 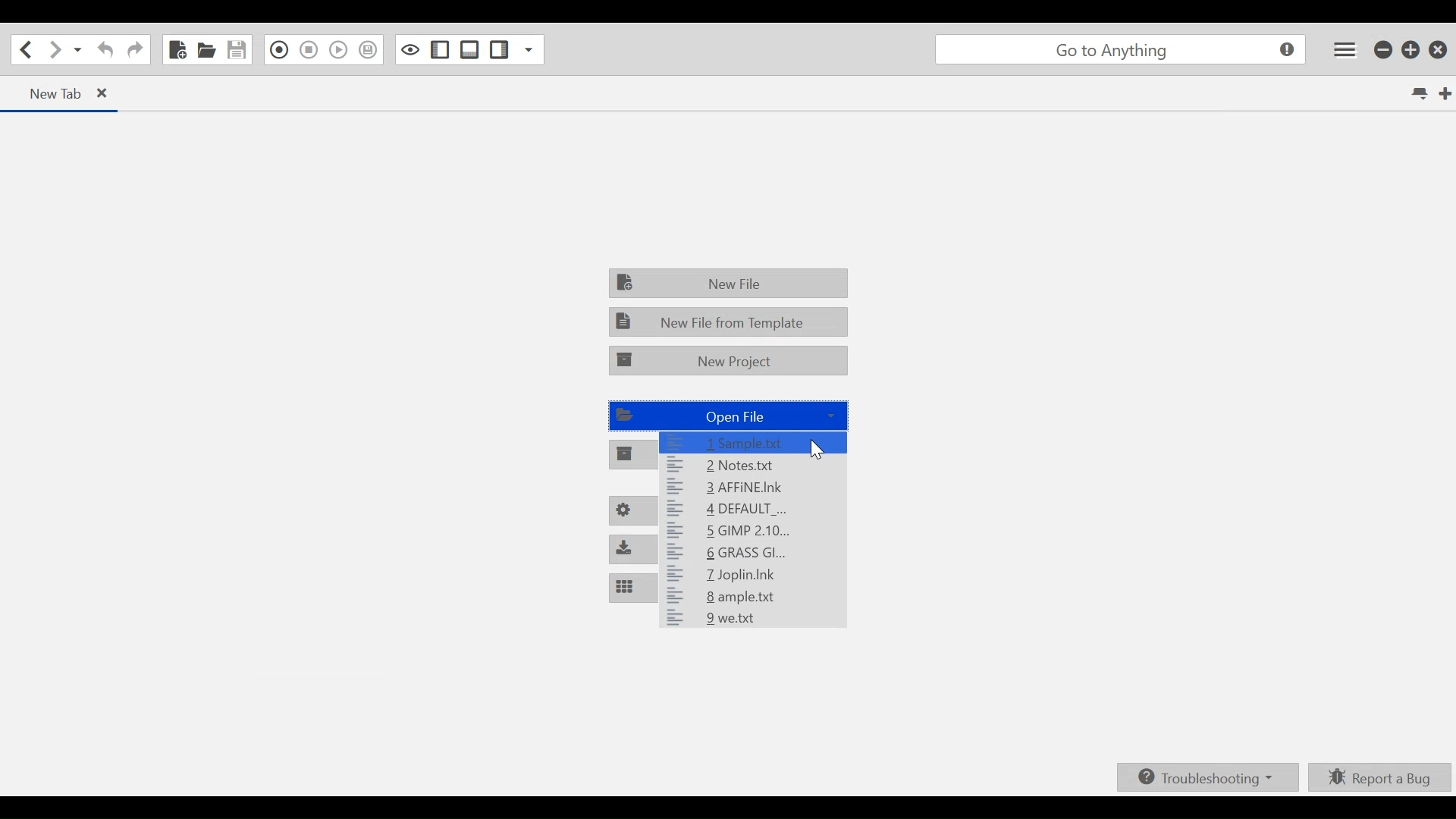 What do you see at coordinates (26, 49) in the screenshot?
I see `Go back one location` at bounding box center [26, 49].